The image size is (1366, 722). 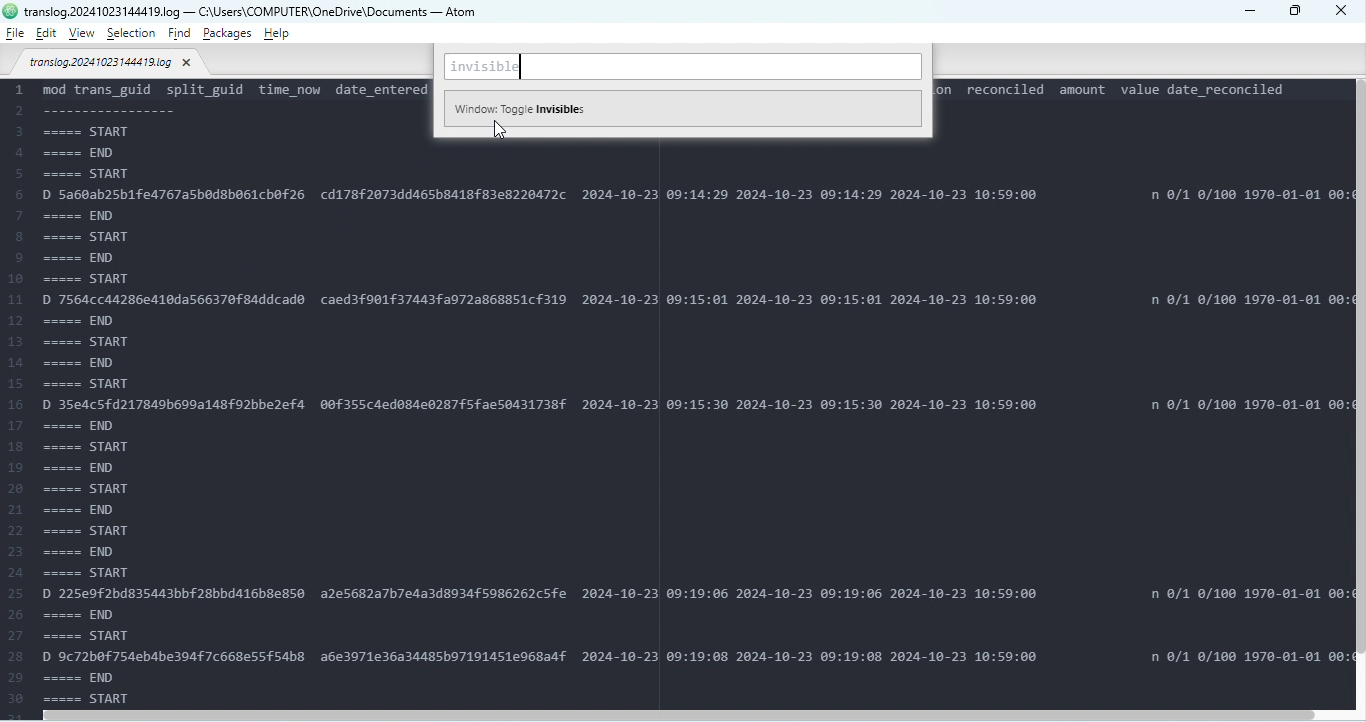 What do you see at coordinates (181, 35) in the screenshot?
I see `Find` at bounding box center [181, 35].